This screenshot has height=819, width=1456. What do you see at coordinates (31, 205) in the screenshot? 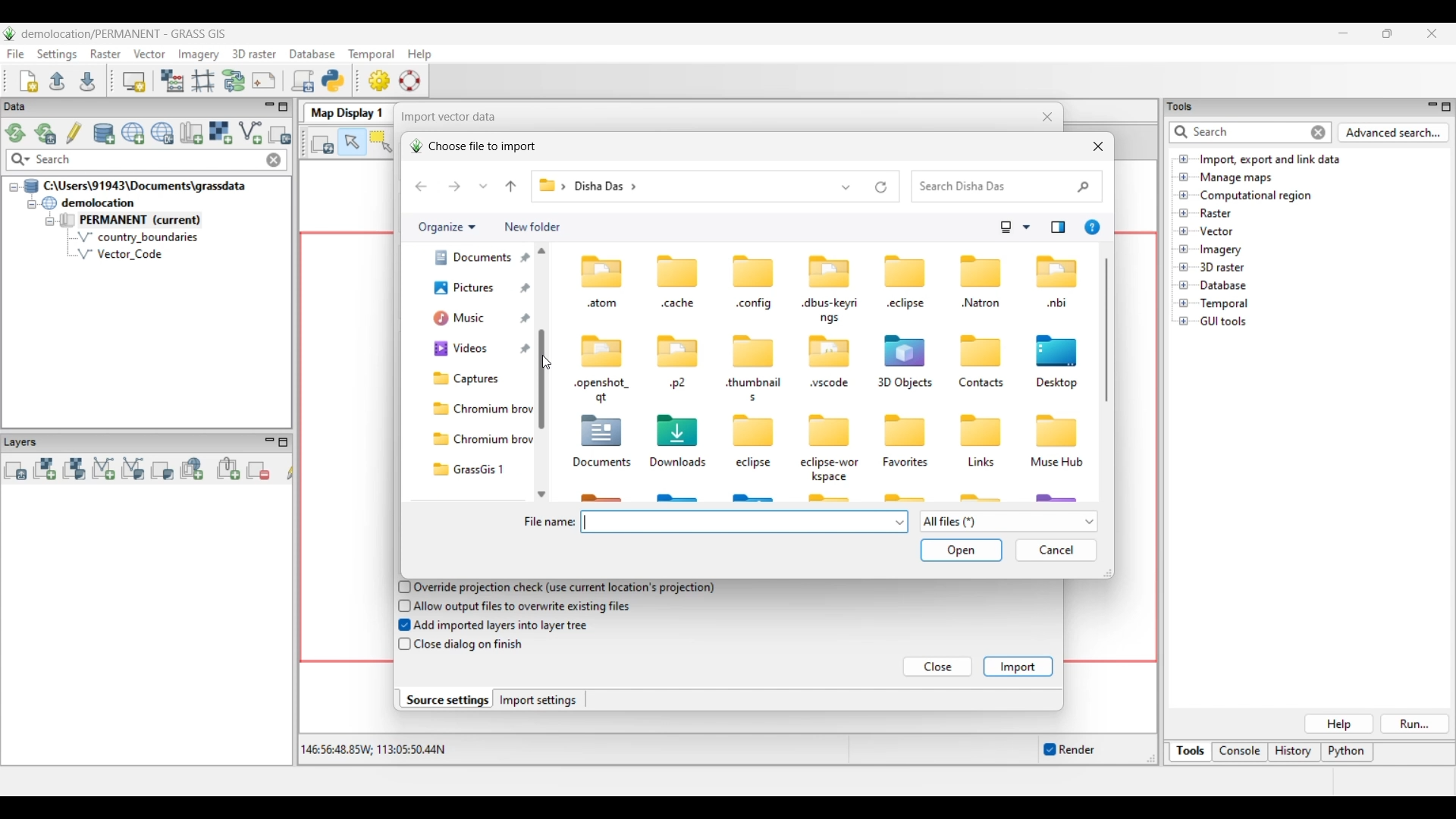
I see `Collapse demolition` at bounding box center [31, 205].